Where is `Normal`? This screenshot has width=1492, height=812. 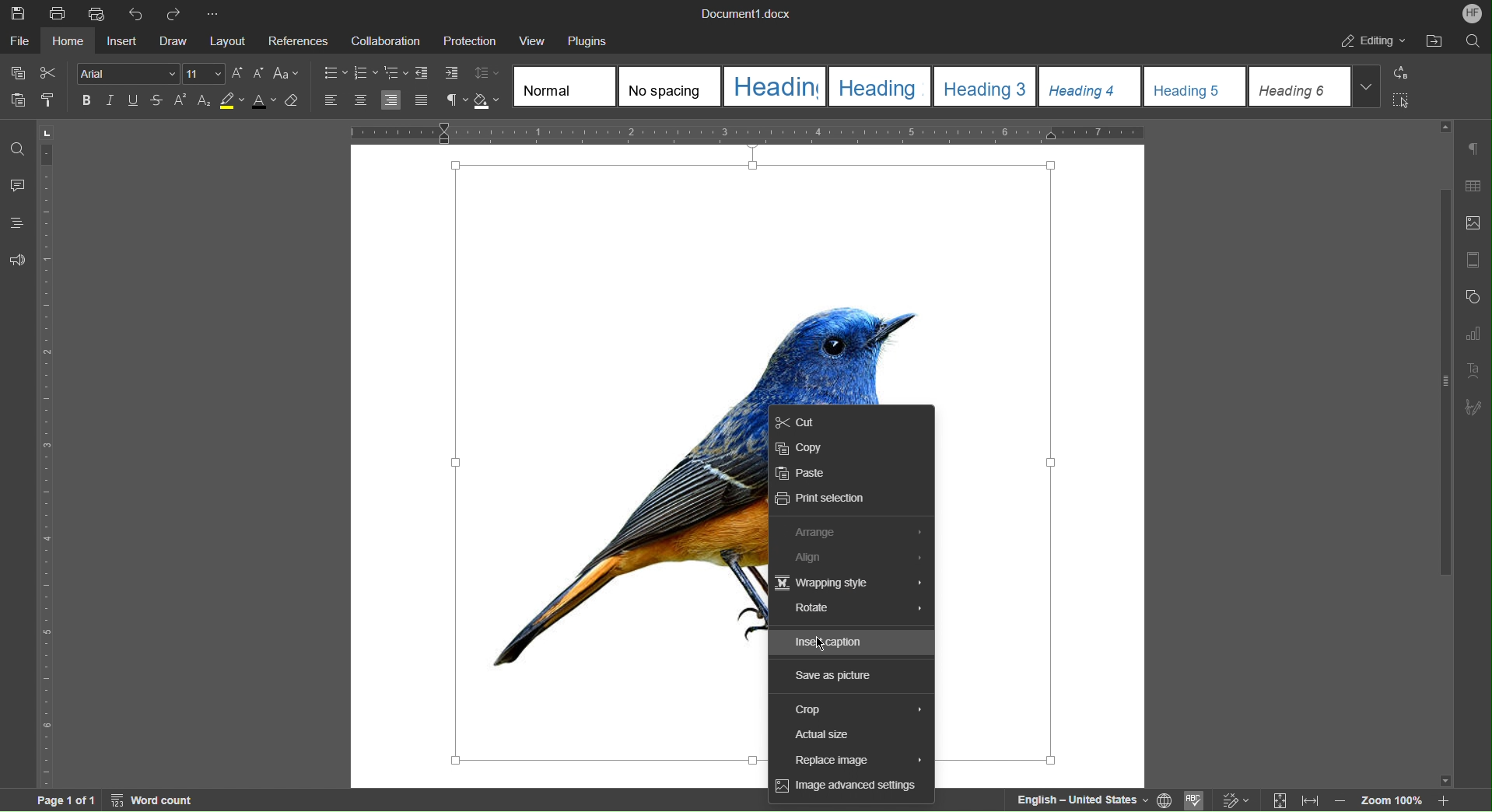
Normal is located at coordinates (566, 86).